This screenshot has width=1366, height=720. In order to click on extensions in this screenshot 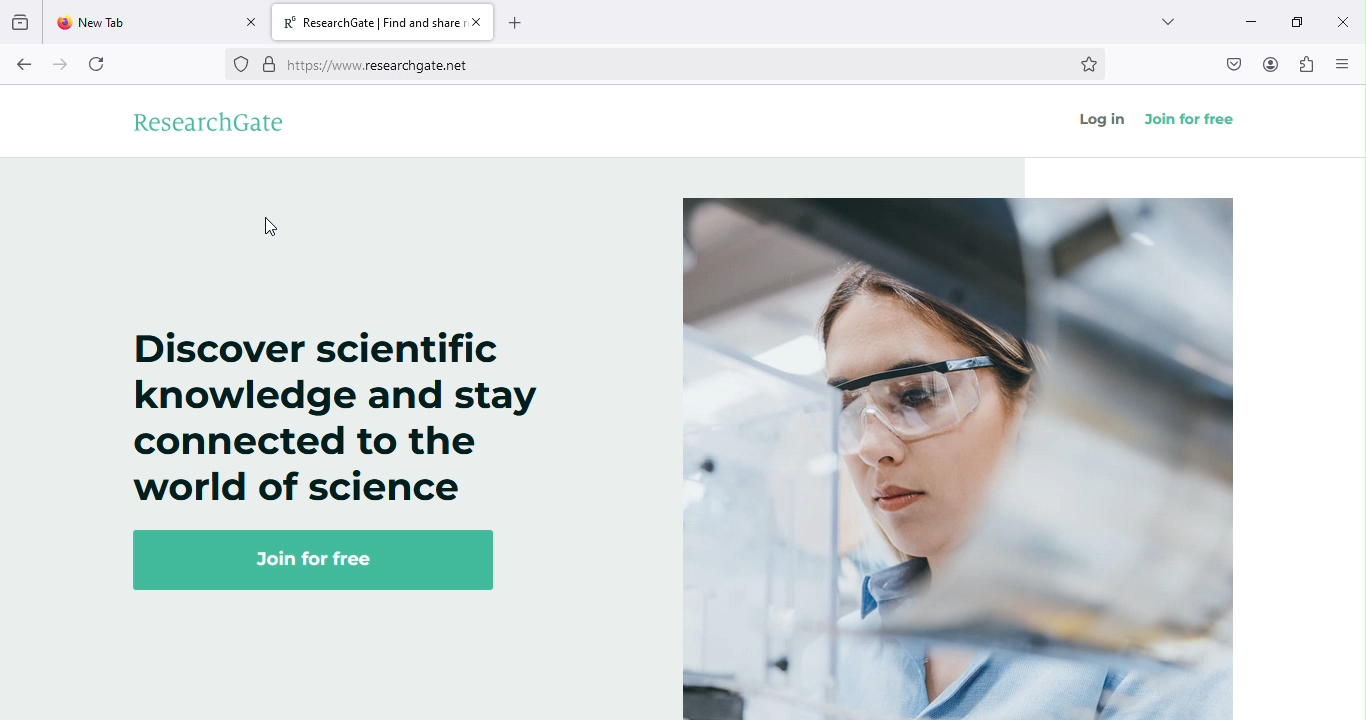, I will do `click(1309, 65)`.